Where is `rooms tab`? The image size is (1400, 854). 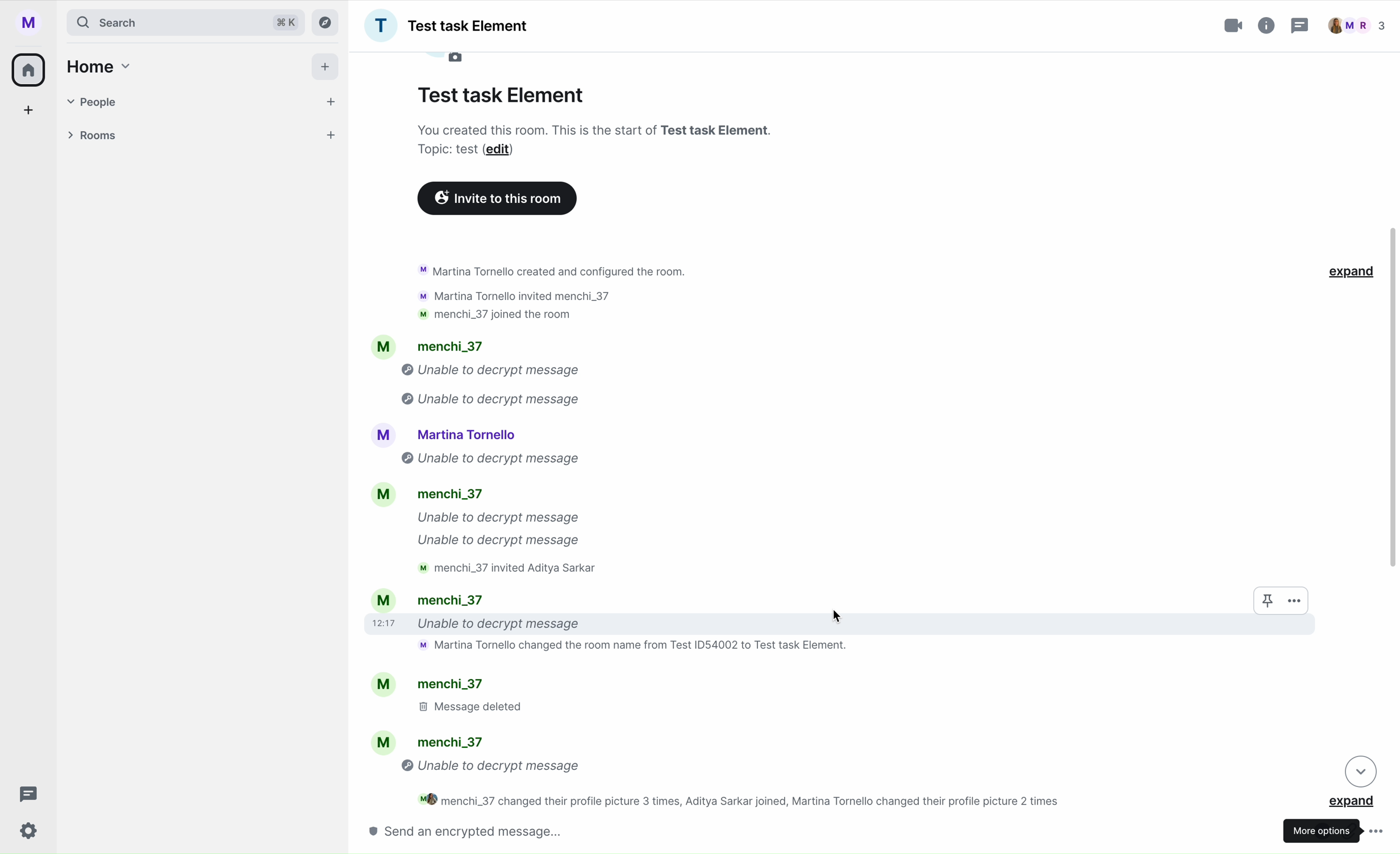 rooms tab is located at coordinates (198, 137).